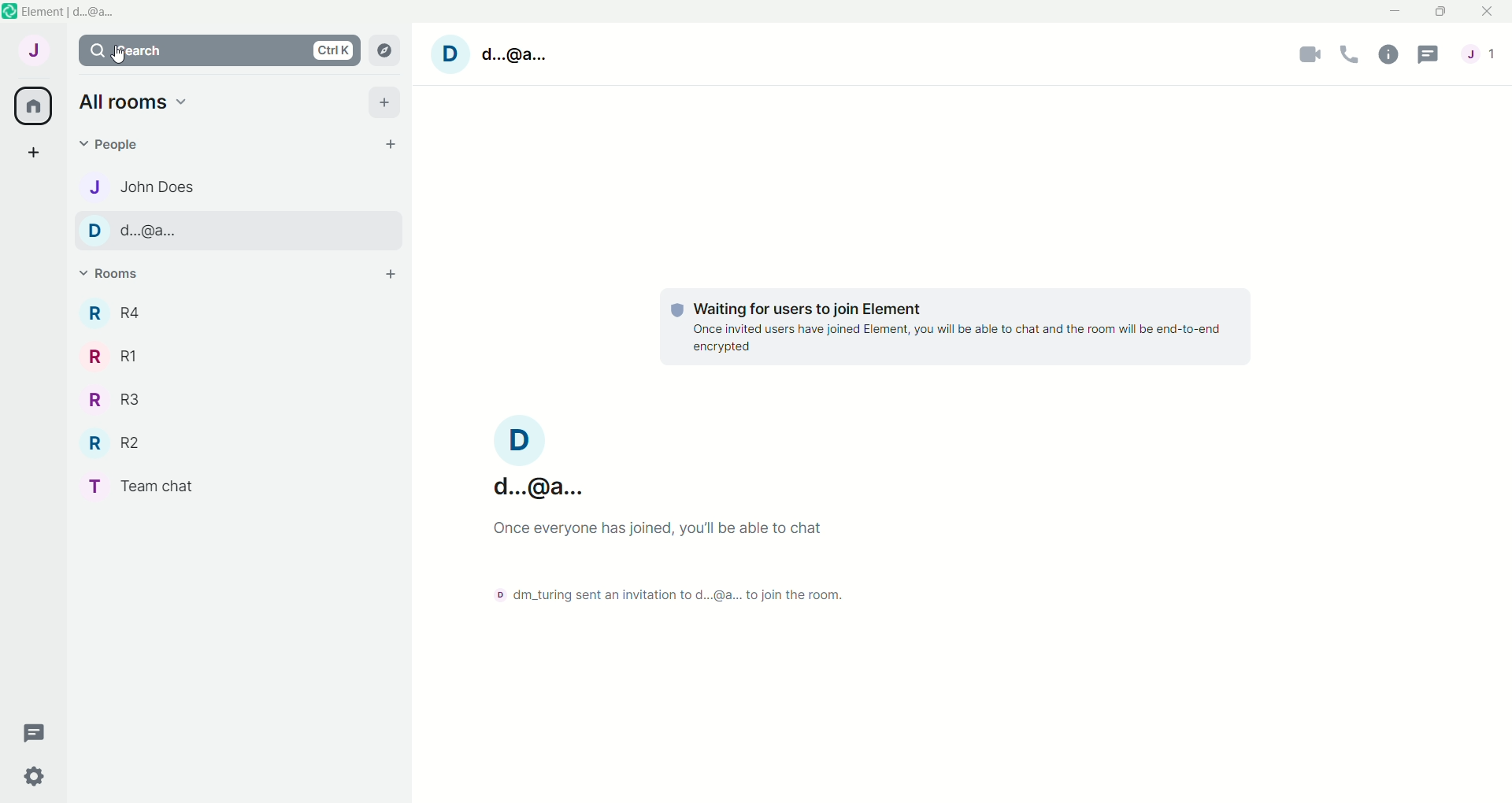  I want to click on R1, so click(114, 355).